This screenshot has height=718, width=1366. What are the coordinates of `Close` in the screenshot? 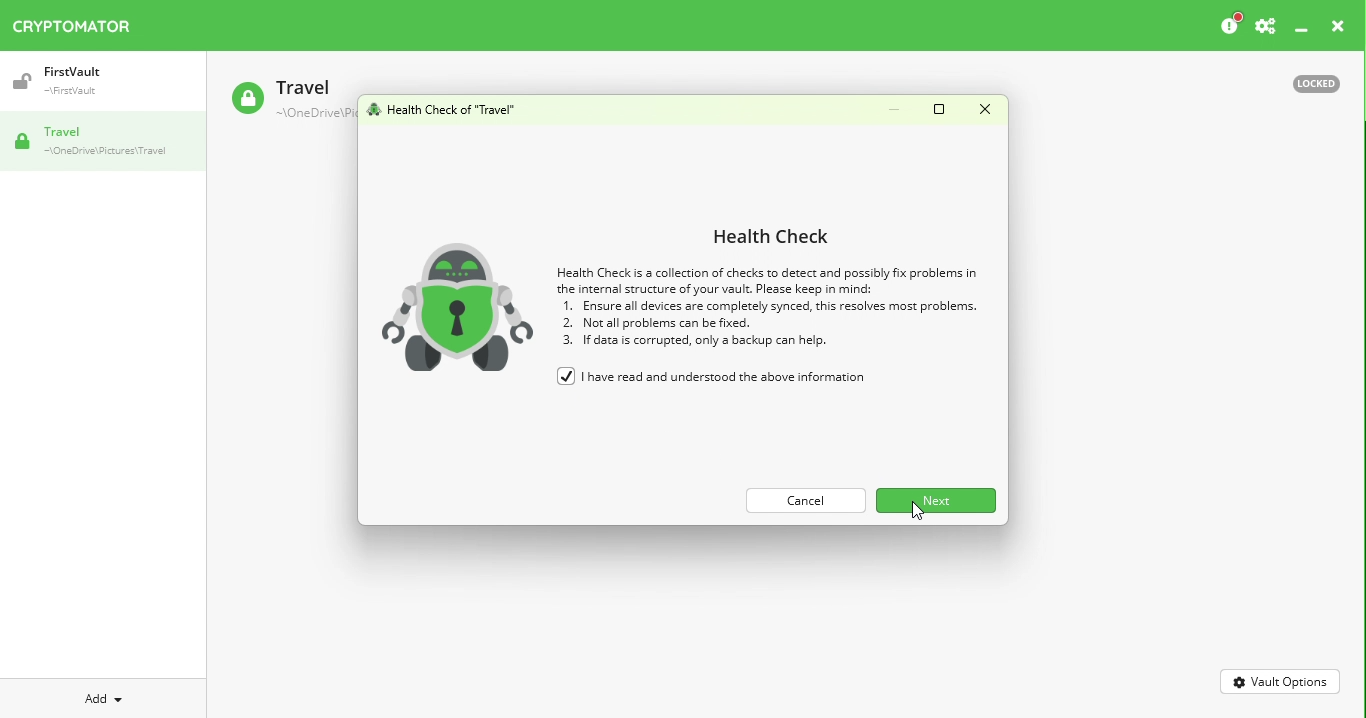 It's located at (982, 109).